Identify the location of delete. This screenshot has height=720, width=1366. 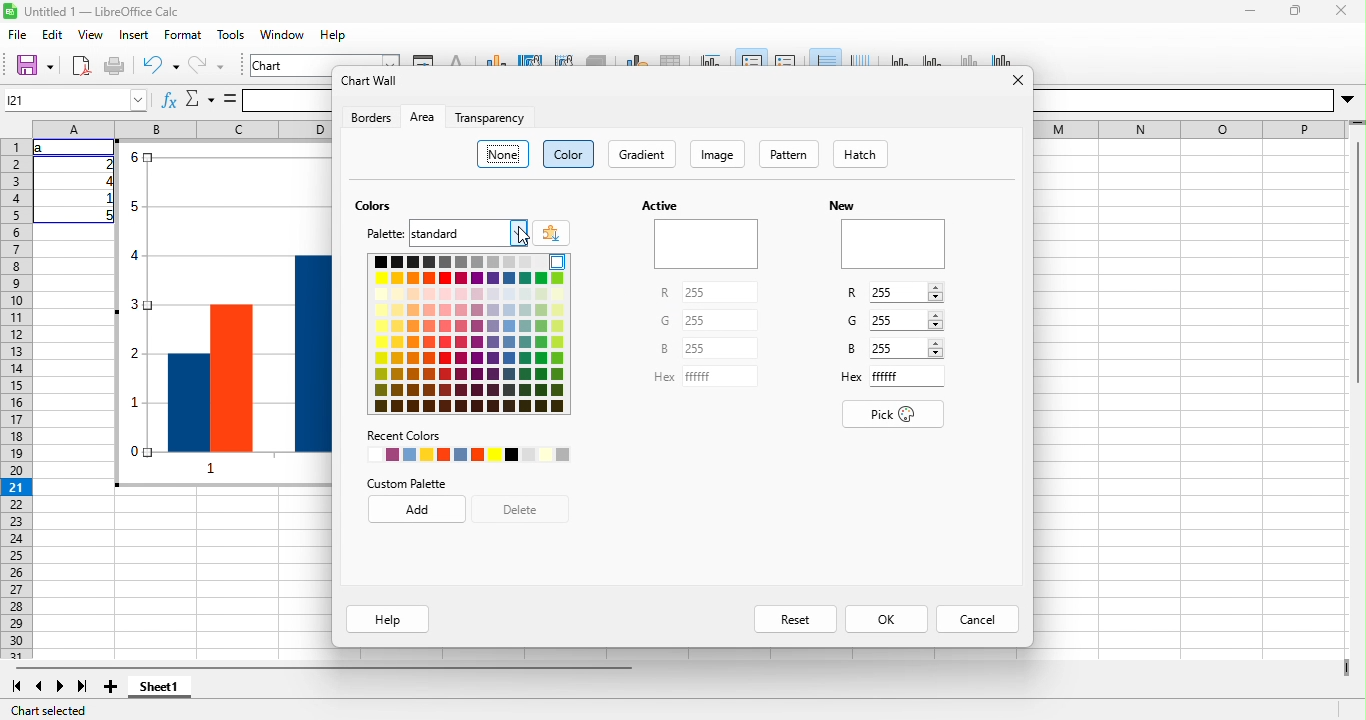
(520, 509).